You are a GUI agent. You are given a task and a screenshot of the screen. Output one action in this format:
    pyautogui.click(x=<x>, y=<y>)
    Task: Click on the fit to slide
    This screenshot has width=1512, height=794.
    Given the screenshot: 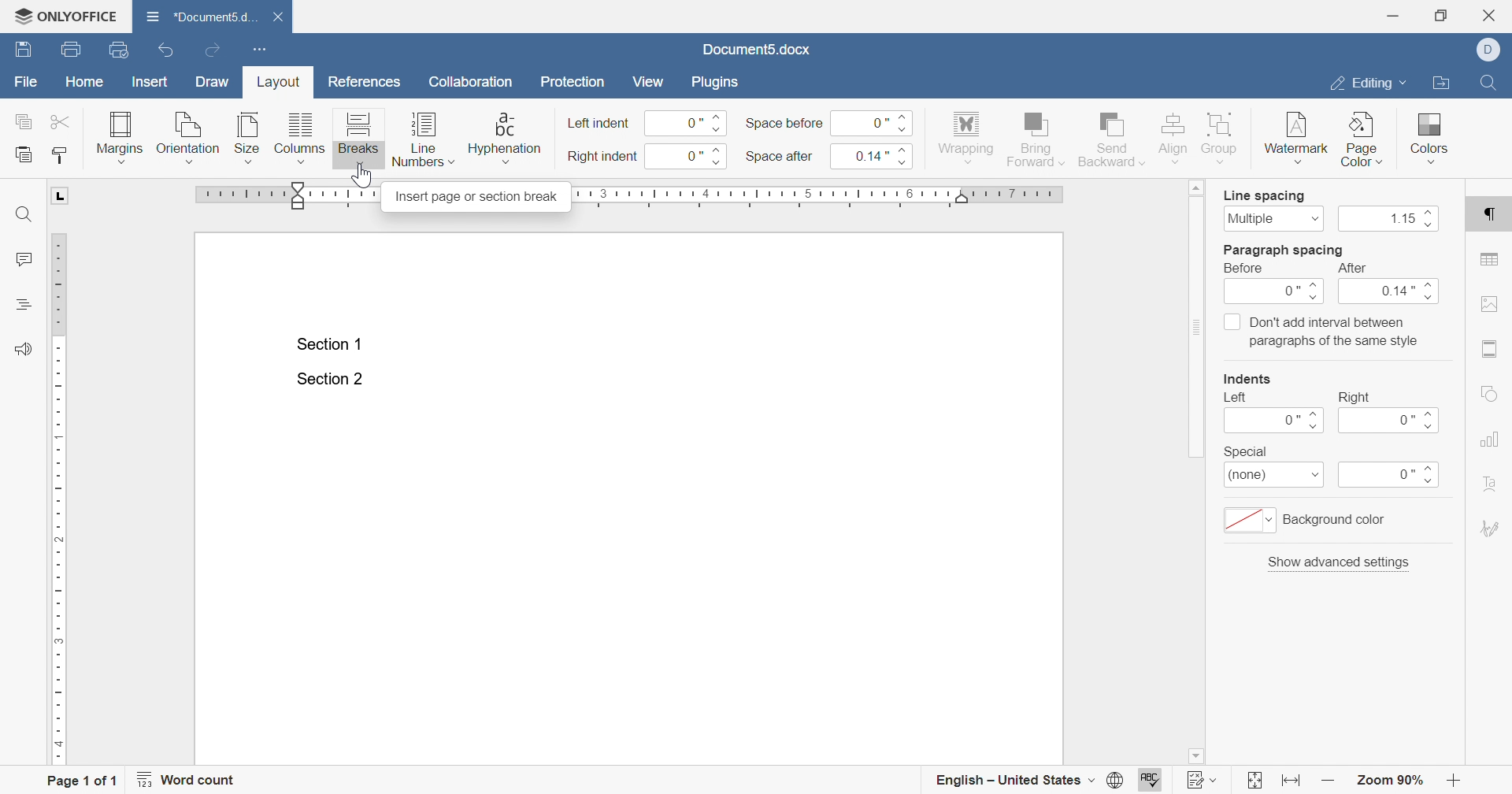 What is the action you would take?
    pyautogui.click(x=1254, y=781)
    